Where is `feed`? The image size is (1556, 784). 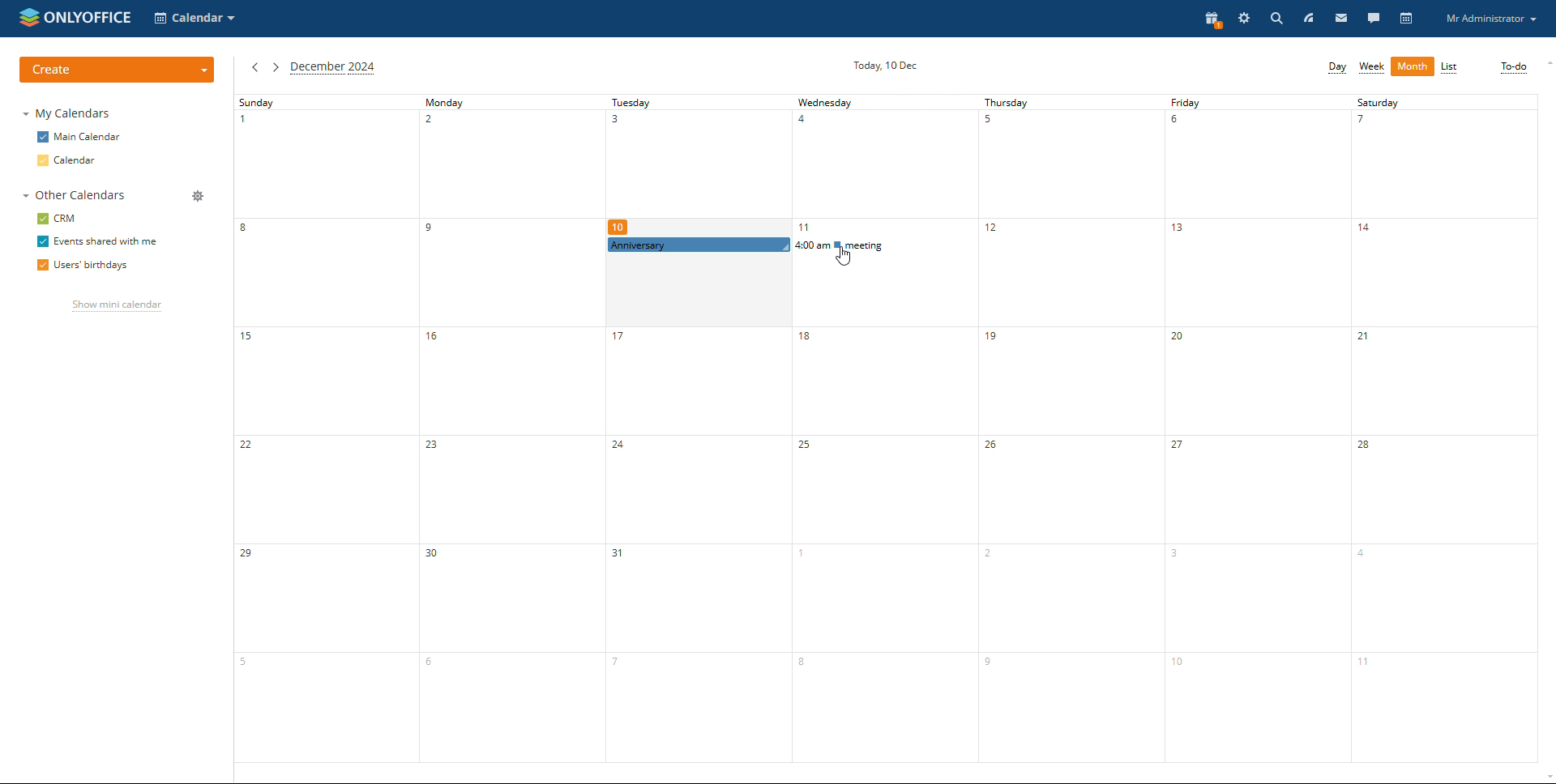
feed is located at coordinates (1310, 17).